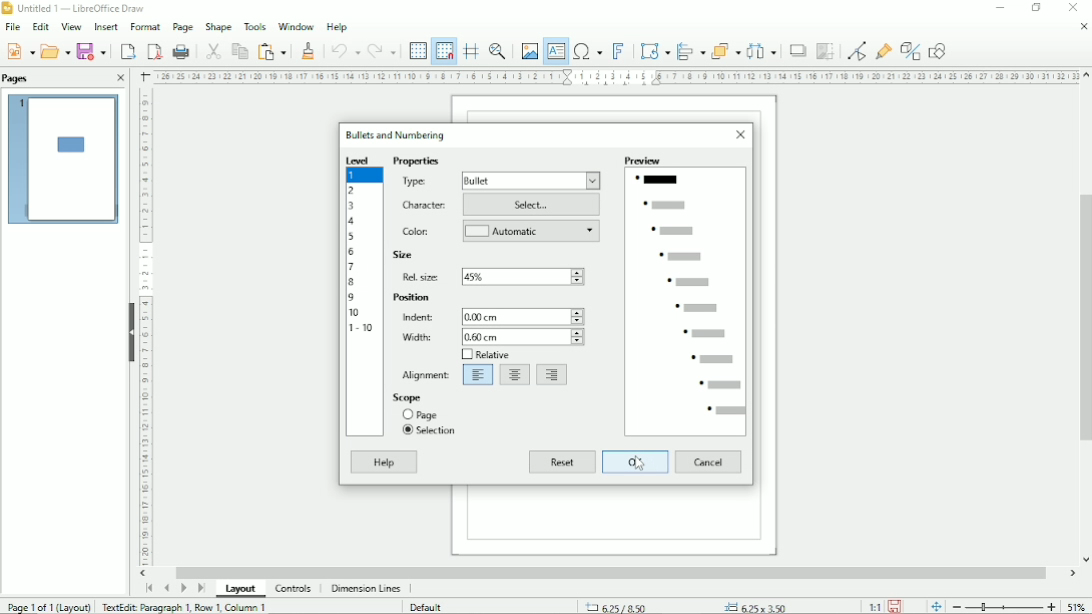  Describe the element at coordinates (366, 588) in the screenshot. I see `Dimension lines` at that location.